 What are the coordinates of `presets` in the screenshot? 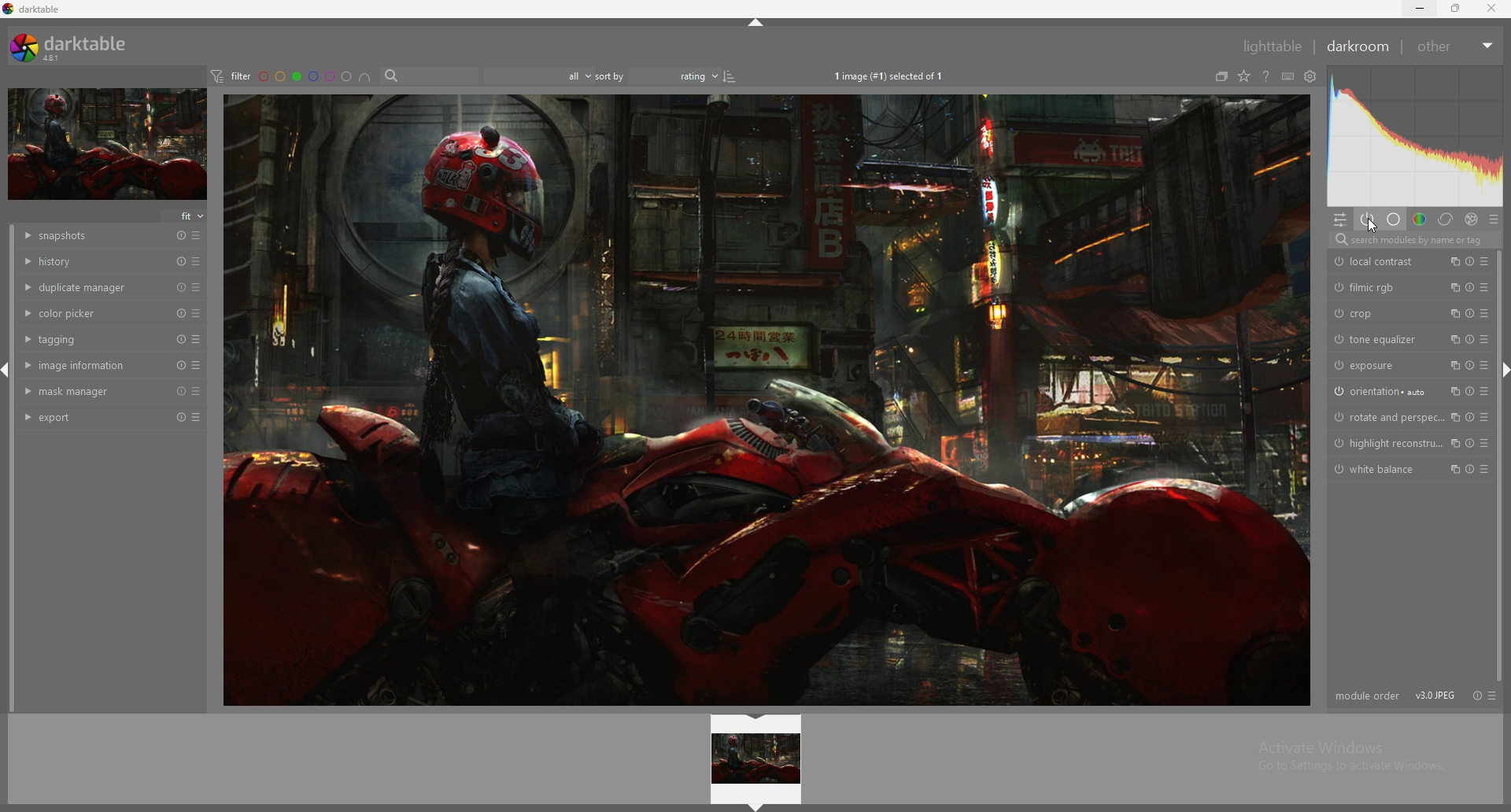 It's located at (1485, 418).